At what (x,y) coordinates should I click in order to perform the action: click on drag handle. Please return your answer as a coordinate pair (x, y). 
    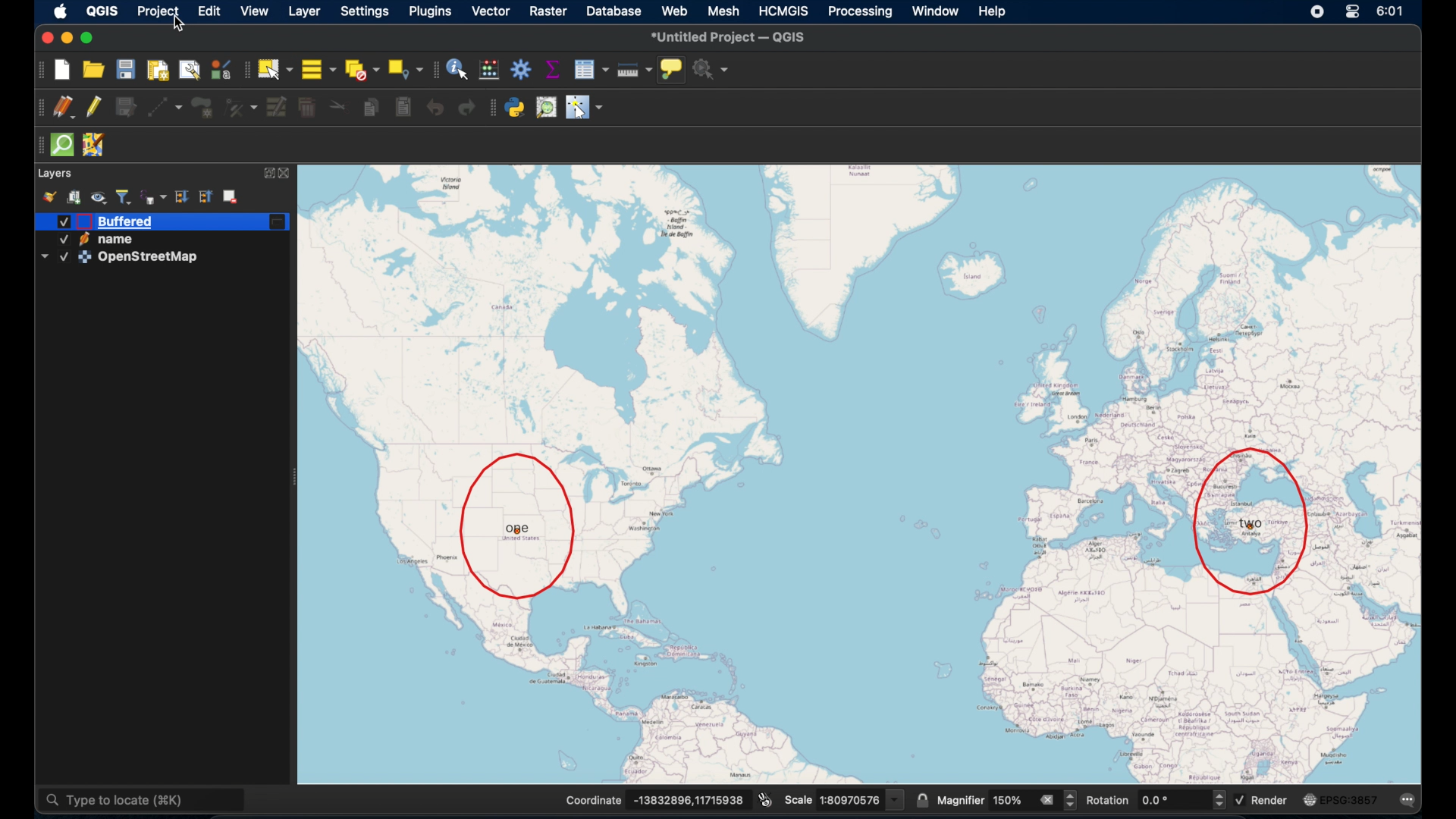
    Looking at the image, I should click on (37, 145).